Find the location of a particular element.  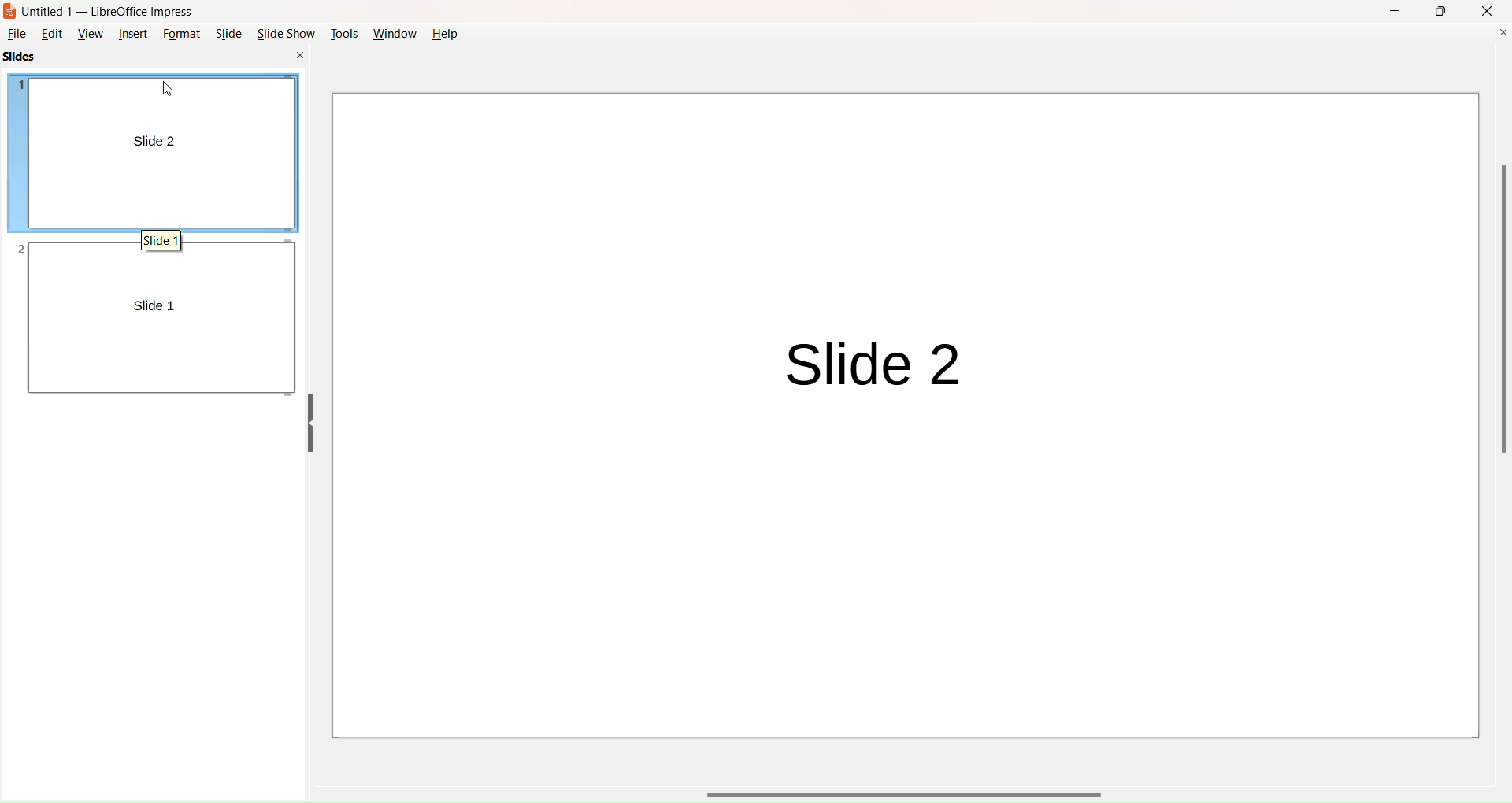

hide is located at coordinates (311, 424).